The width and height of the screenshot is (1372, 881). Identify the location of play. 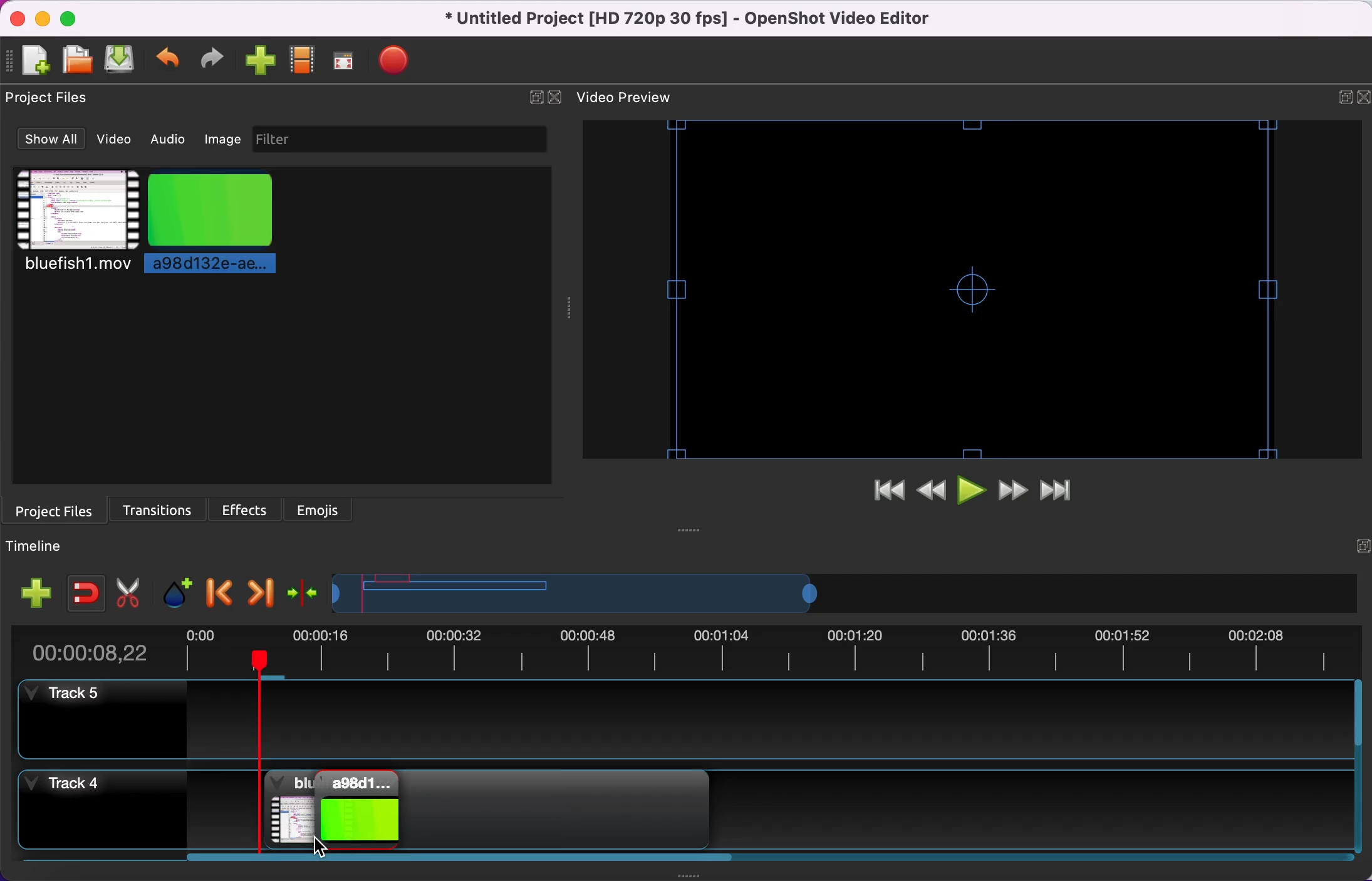
(974, 492).